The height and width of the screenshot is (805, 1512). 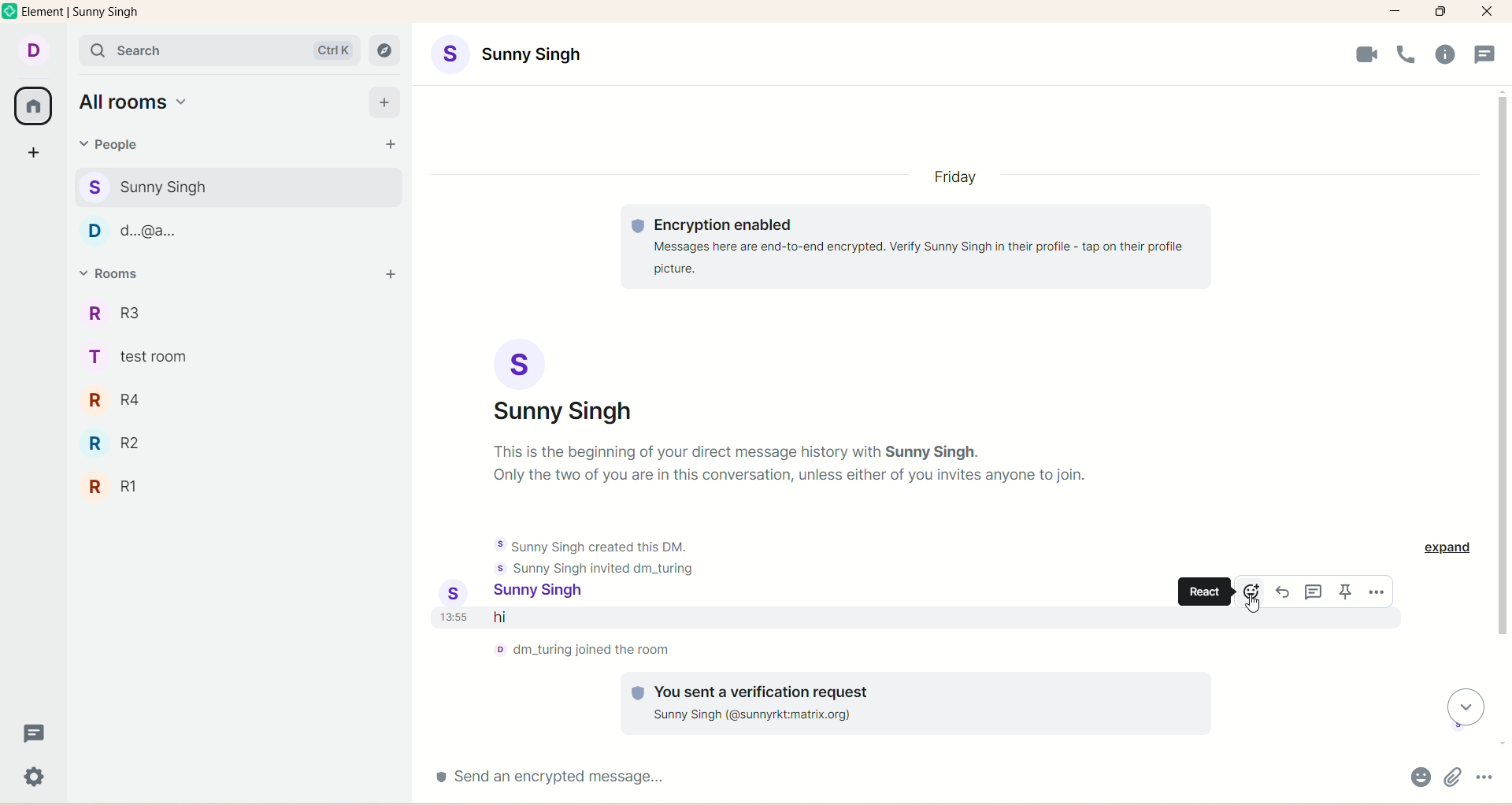 What do you see at coordinates (1204, 592) in the screenshot?
I see `React - description of cursor selection` at bounding box center [1204, 592].